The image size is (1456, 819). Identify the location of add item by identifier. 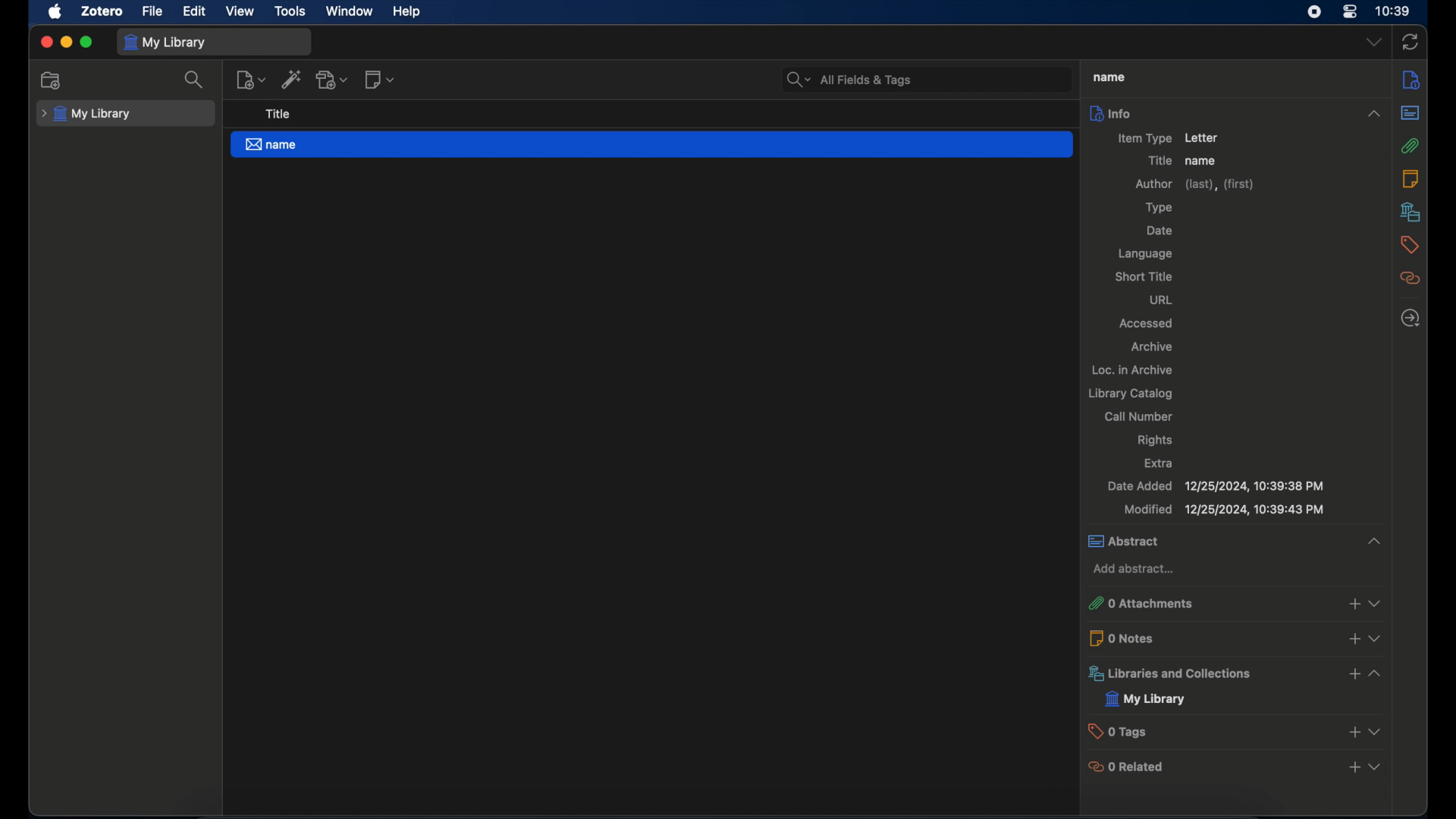
(291, 80).